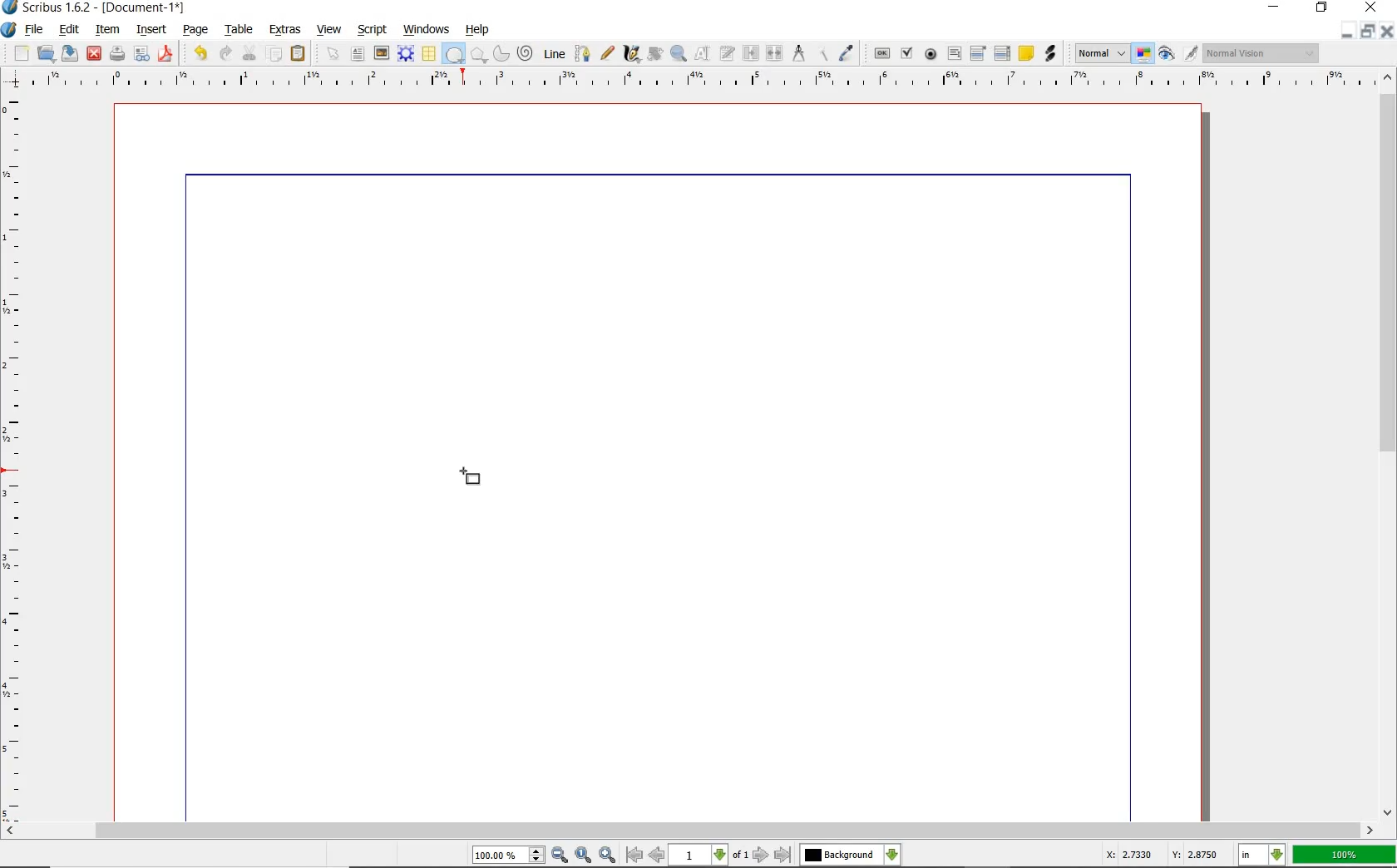 This screenshot has width=1397, height=868. Describe the element at coordinates (560, 856) in the screenshot. I see `zoom in` at that location.